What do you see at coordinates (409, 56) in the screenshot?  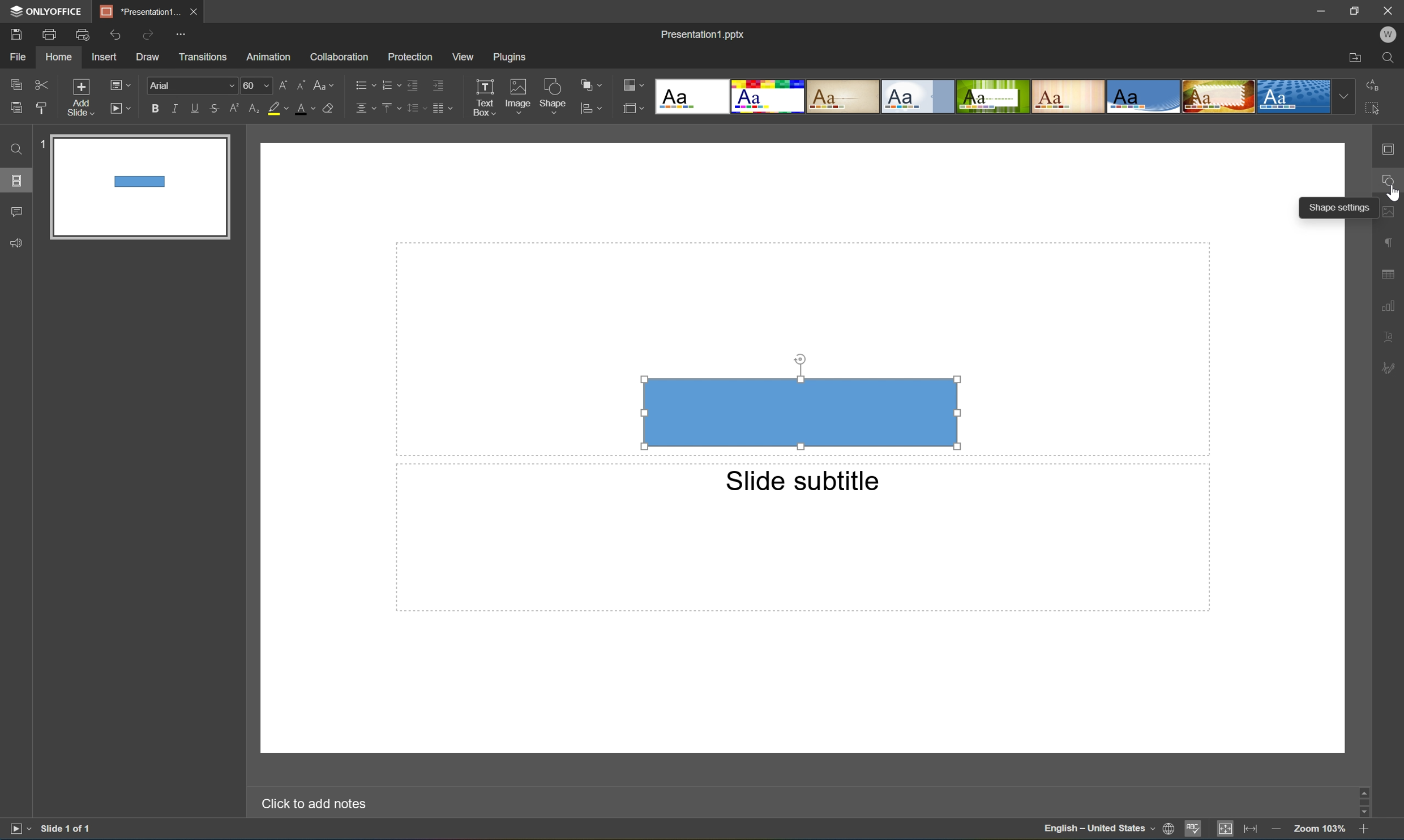 I see `Protection` at bounding box center [409, 56].